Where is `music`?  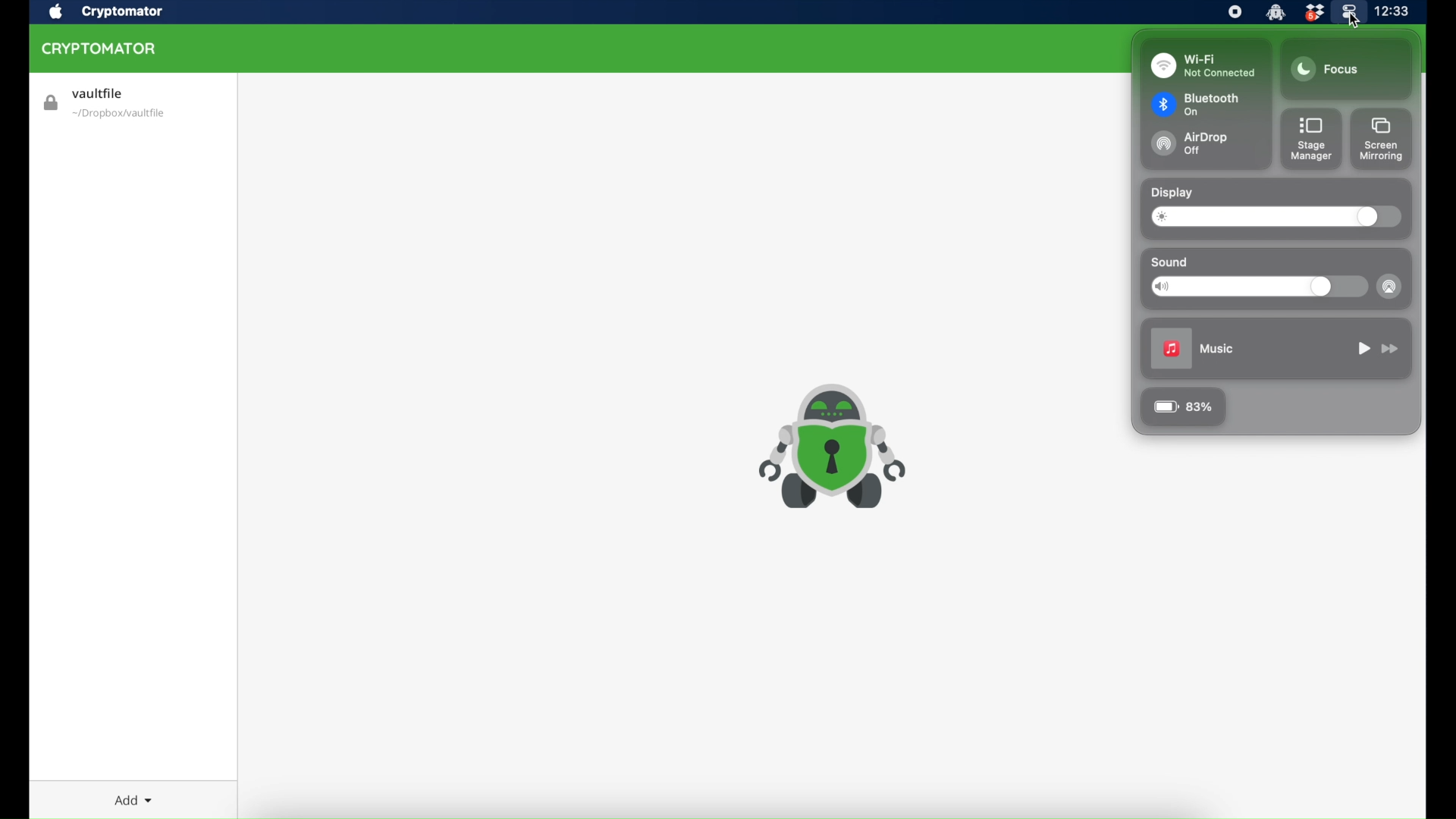 music is located at coordinates (1277, 350).